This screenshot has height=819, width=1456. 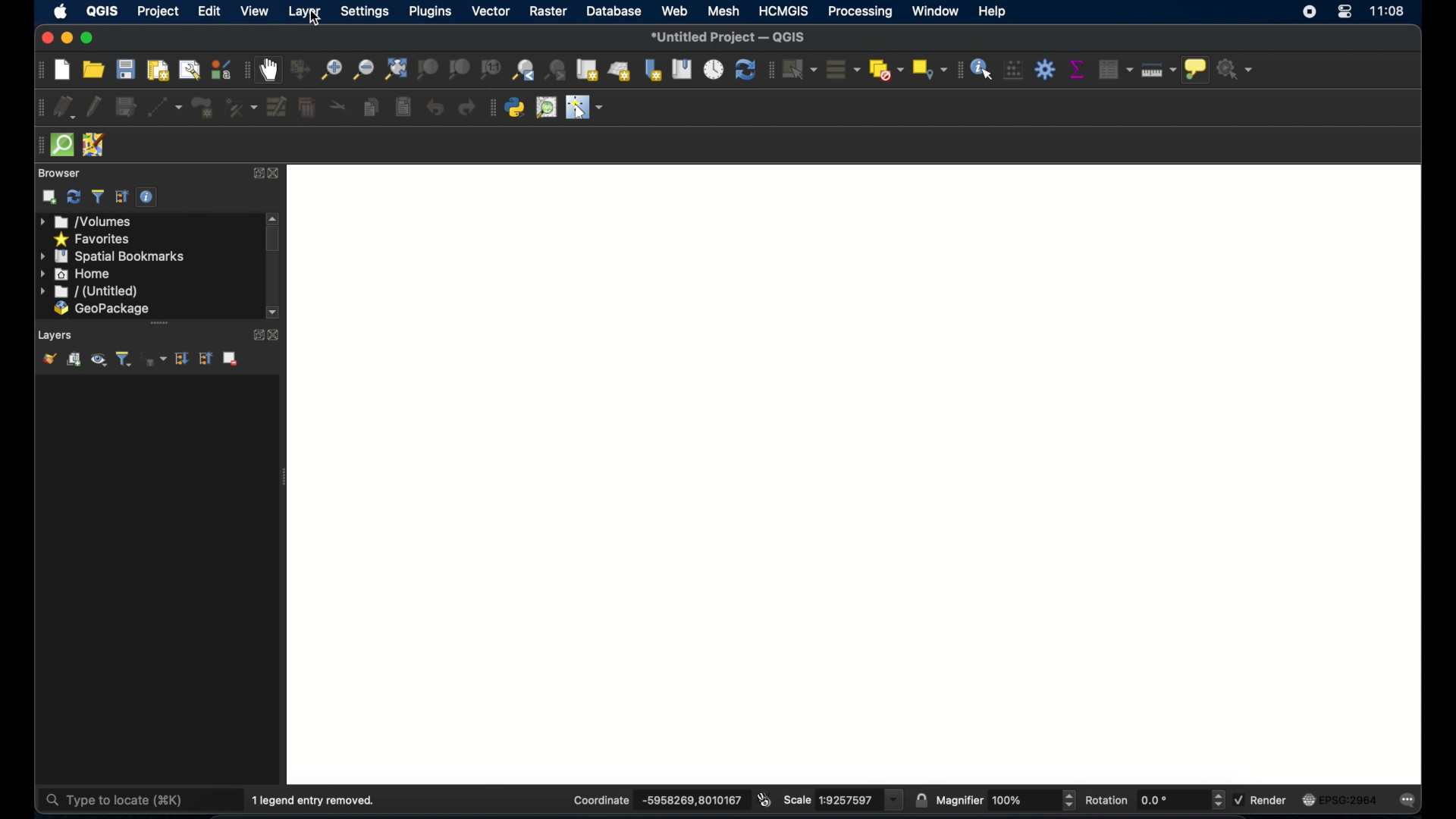 What do you see at coordinates (370, 108) in the screenshot?
I see `copy features` at bounding box center [370, 108].